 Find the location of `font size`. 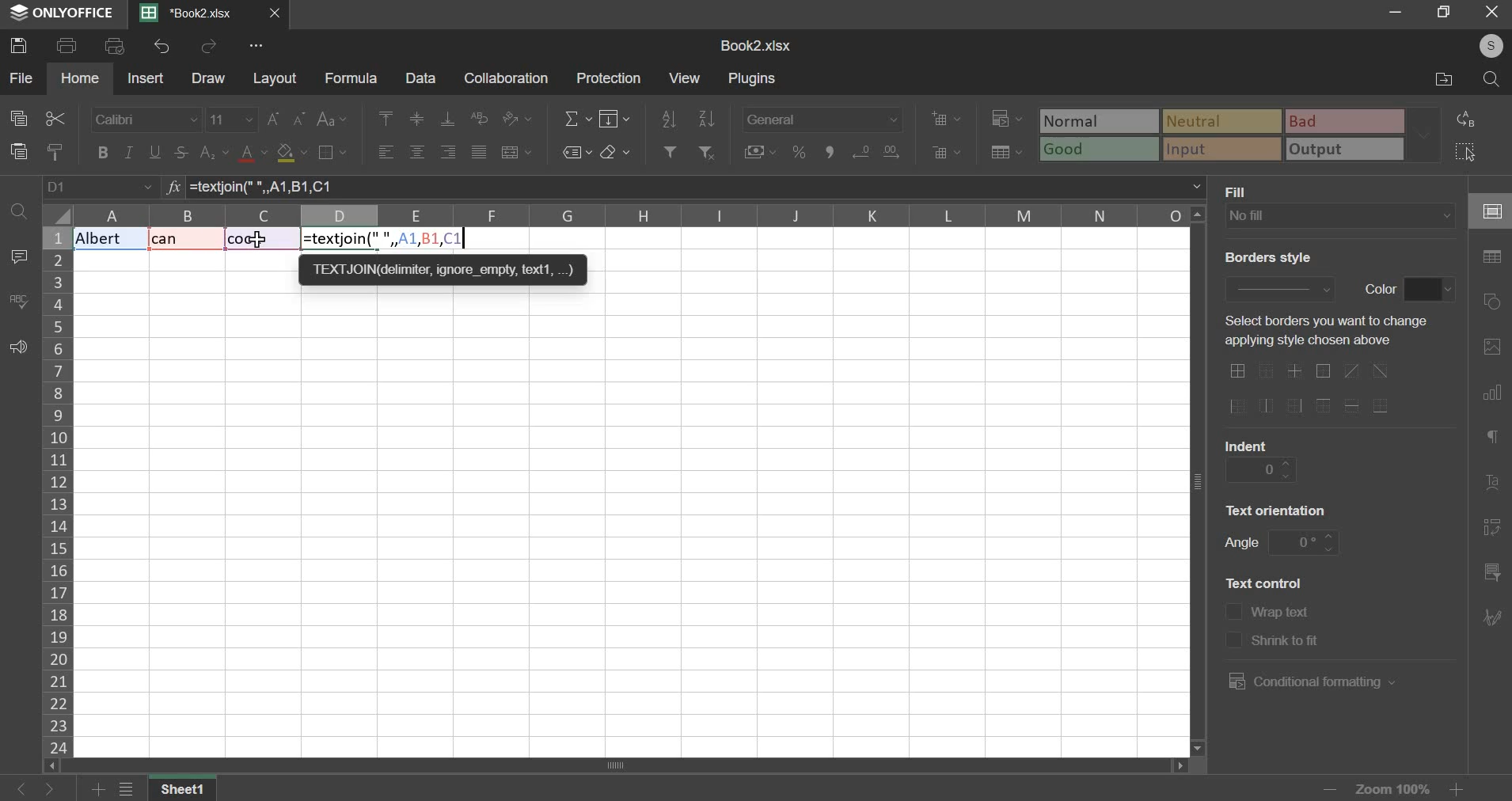

font size is located at coordinates (232, 119).